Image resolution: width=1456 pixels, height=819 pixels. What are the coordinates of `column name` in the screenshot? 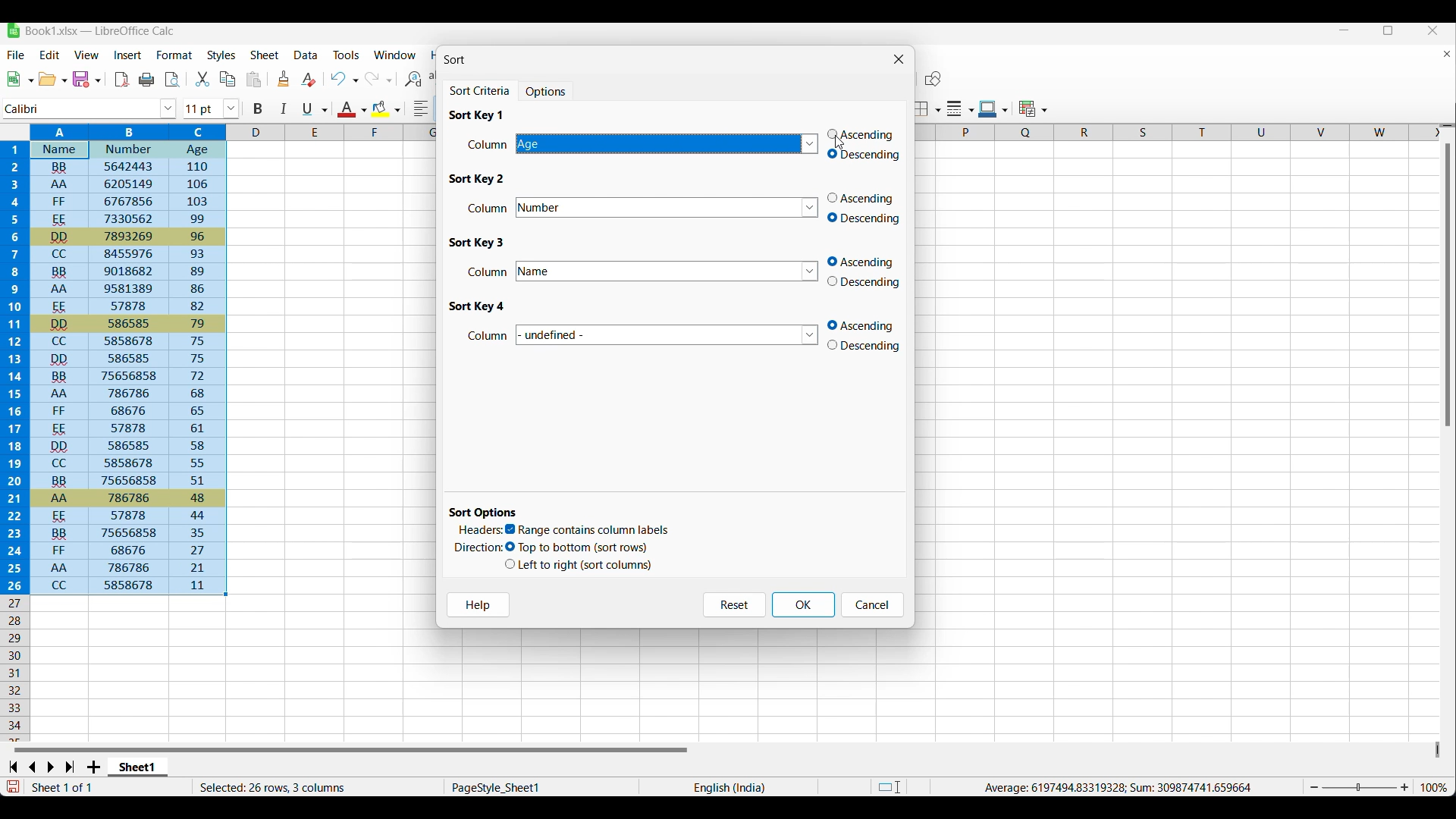 It's located at (666, 146).